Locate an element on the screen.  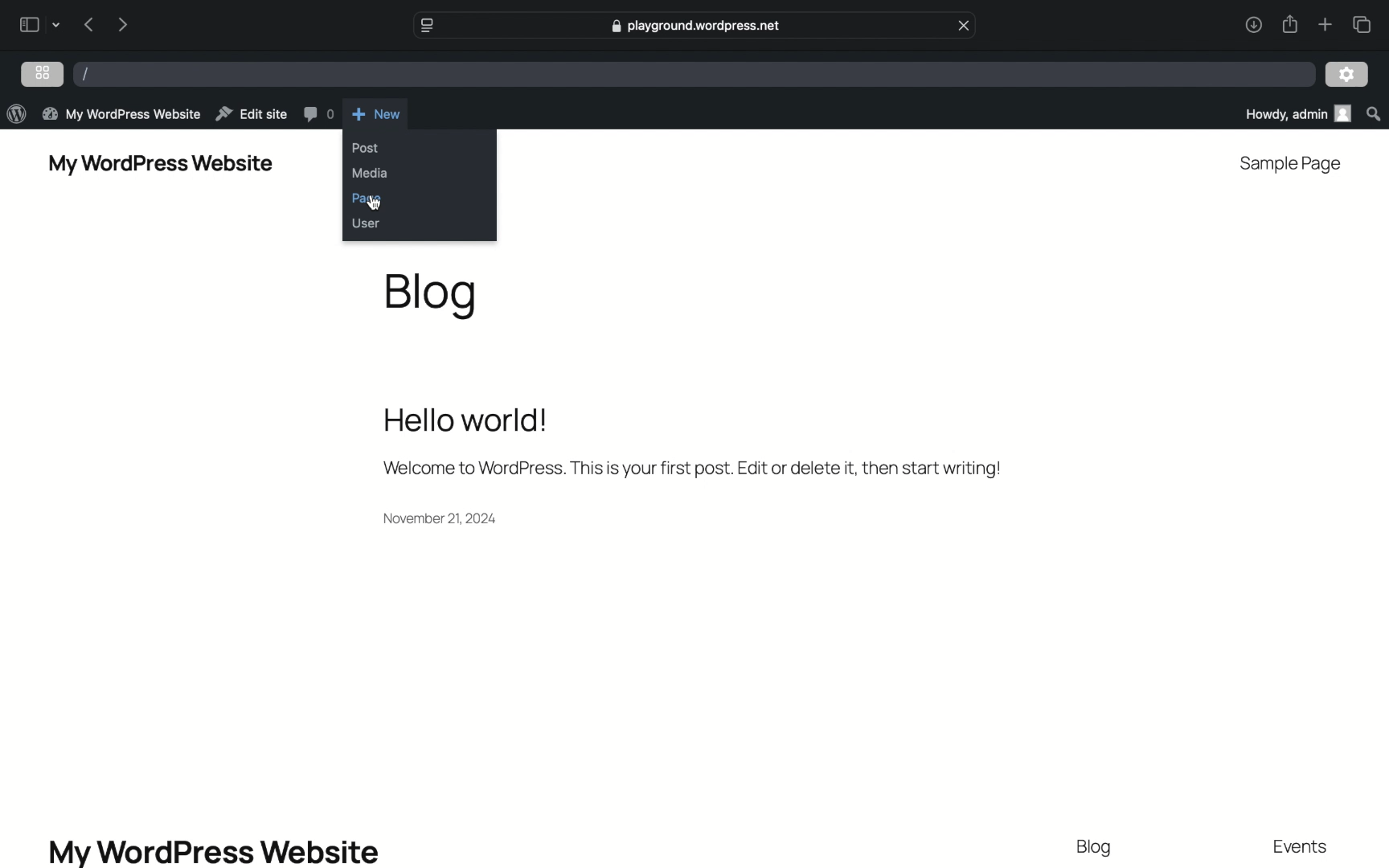
previous page is located at coordinates (89, 26).